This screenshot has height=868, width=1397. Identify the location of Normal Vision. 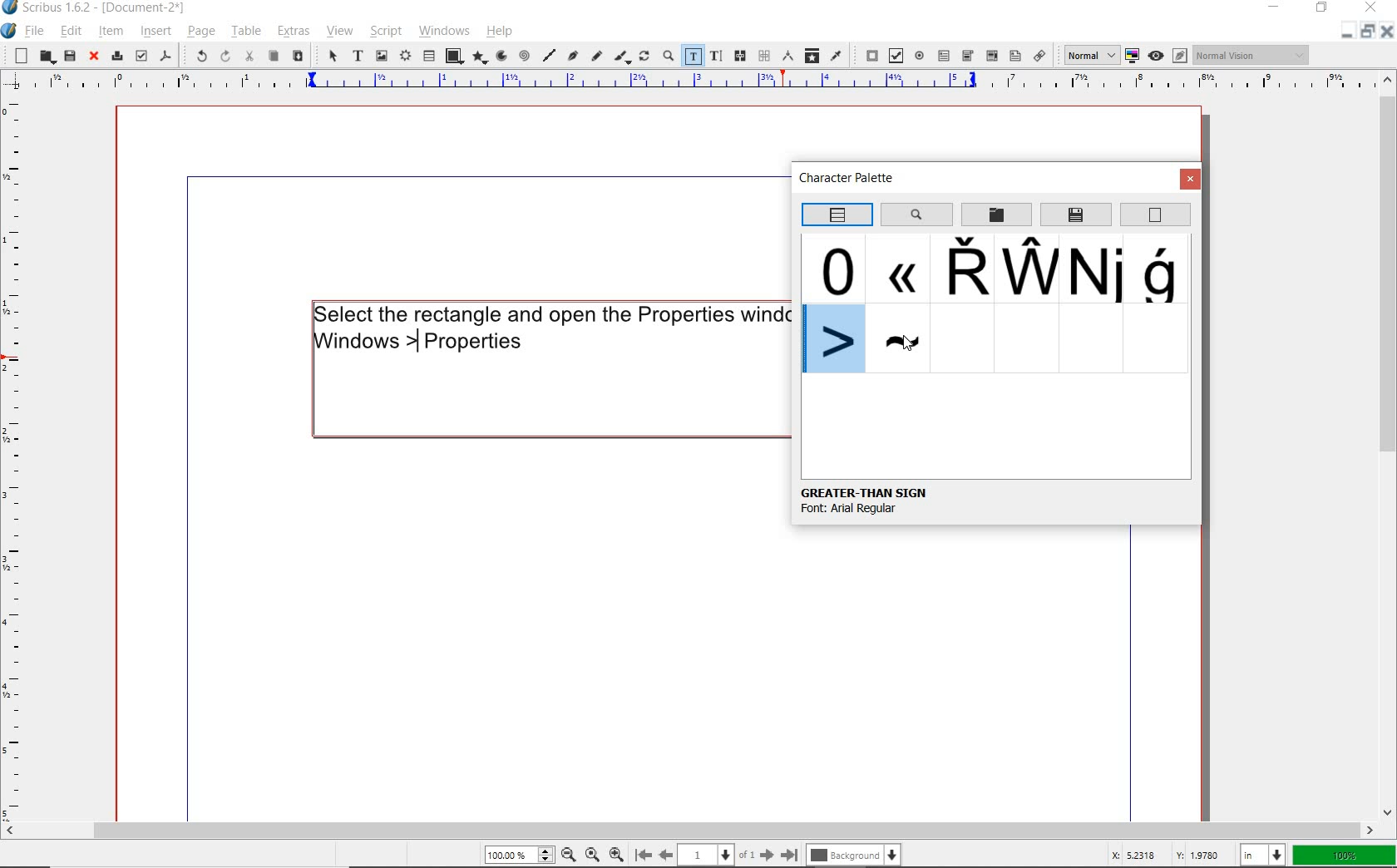
(1252, 55).